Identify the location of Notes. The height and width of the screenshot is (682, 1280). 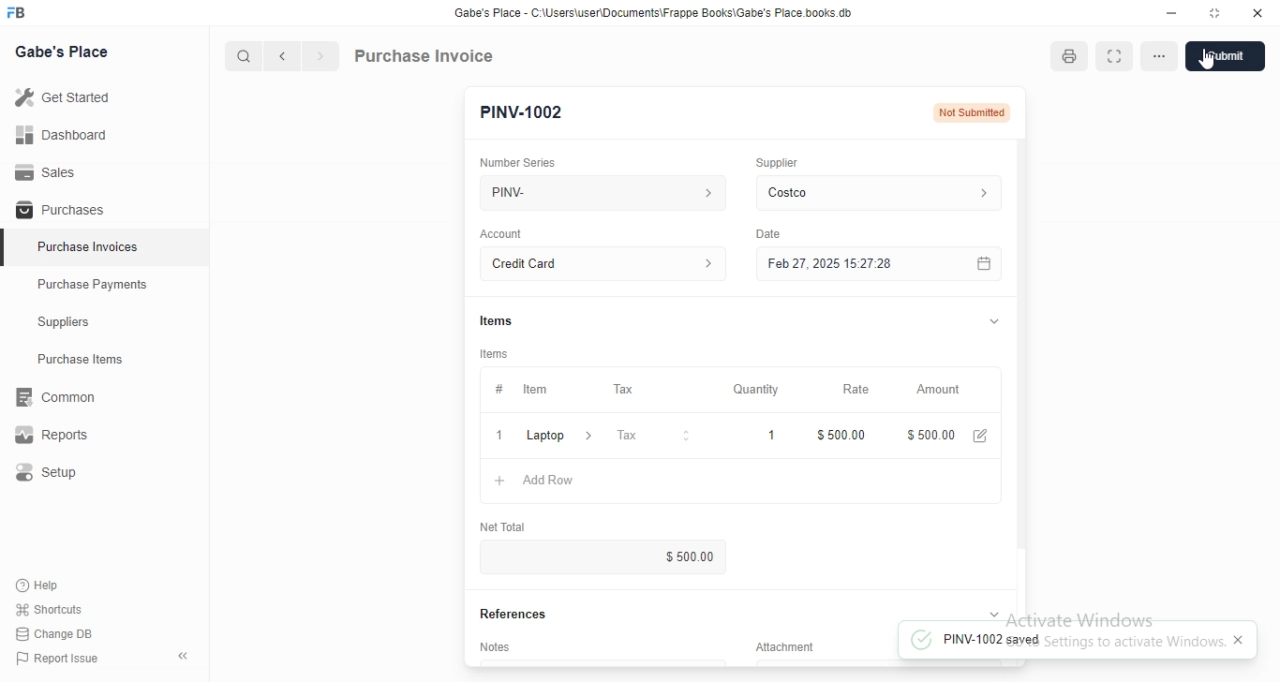
(494, 646).